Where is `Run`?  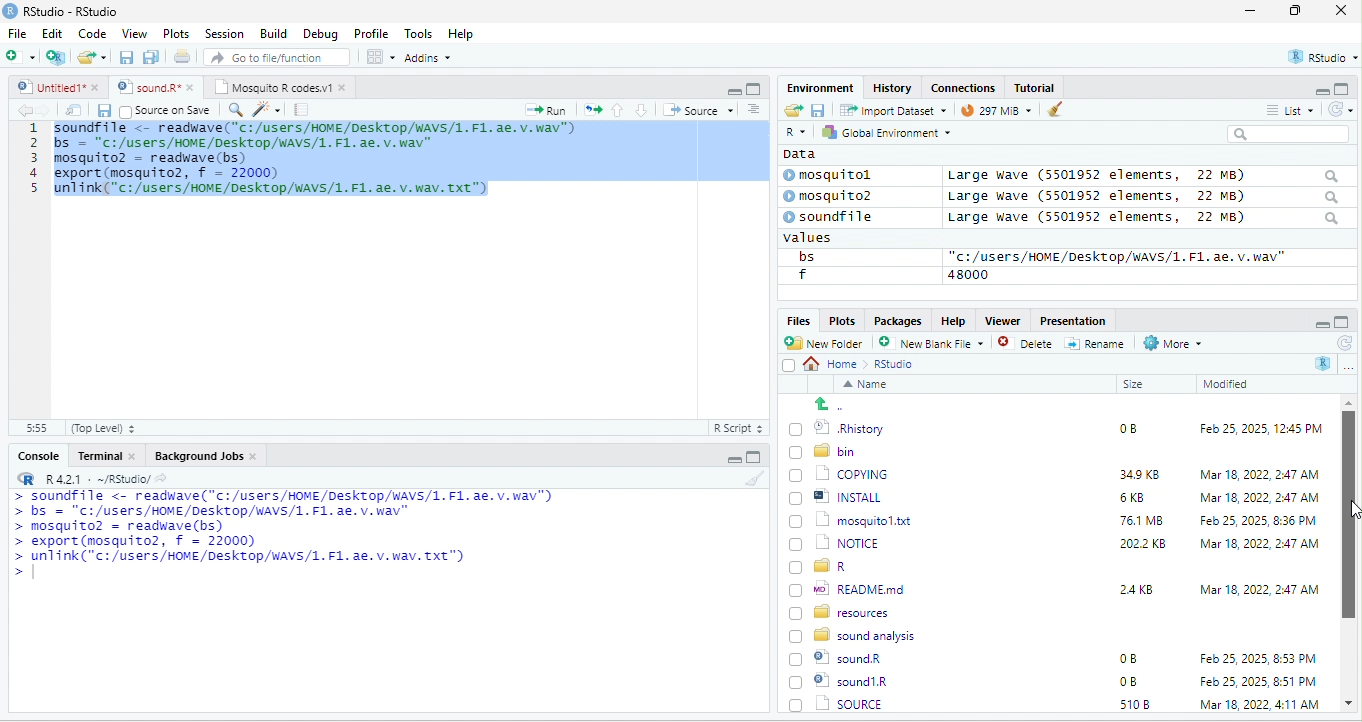
Run is located at coordinates (542, 110).